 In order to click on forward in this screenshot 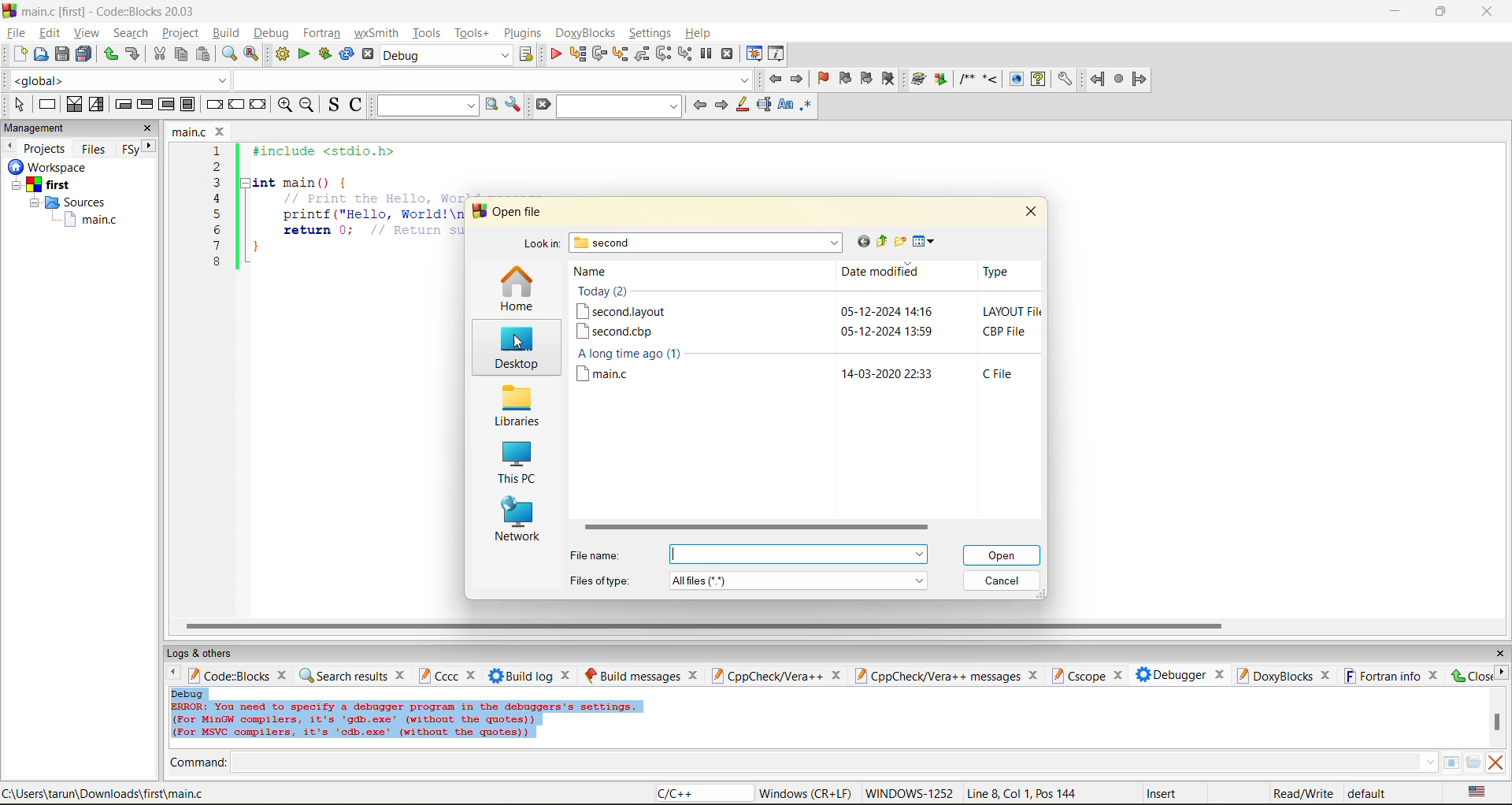, I will do `click(1140, 79)`.